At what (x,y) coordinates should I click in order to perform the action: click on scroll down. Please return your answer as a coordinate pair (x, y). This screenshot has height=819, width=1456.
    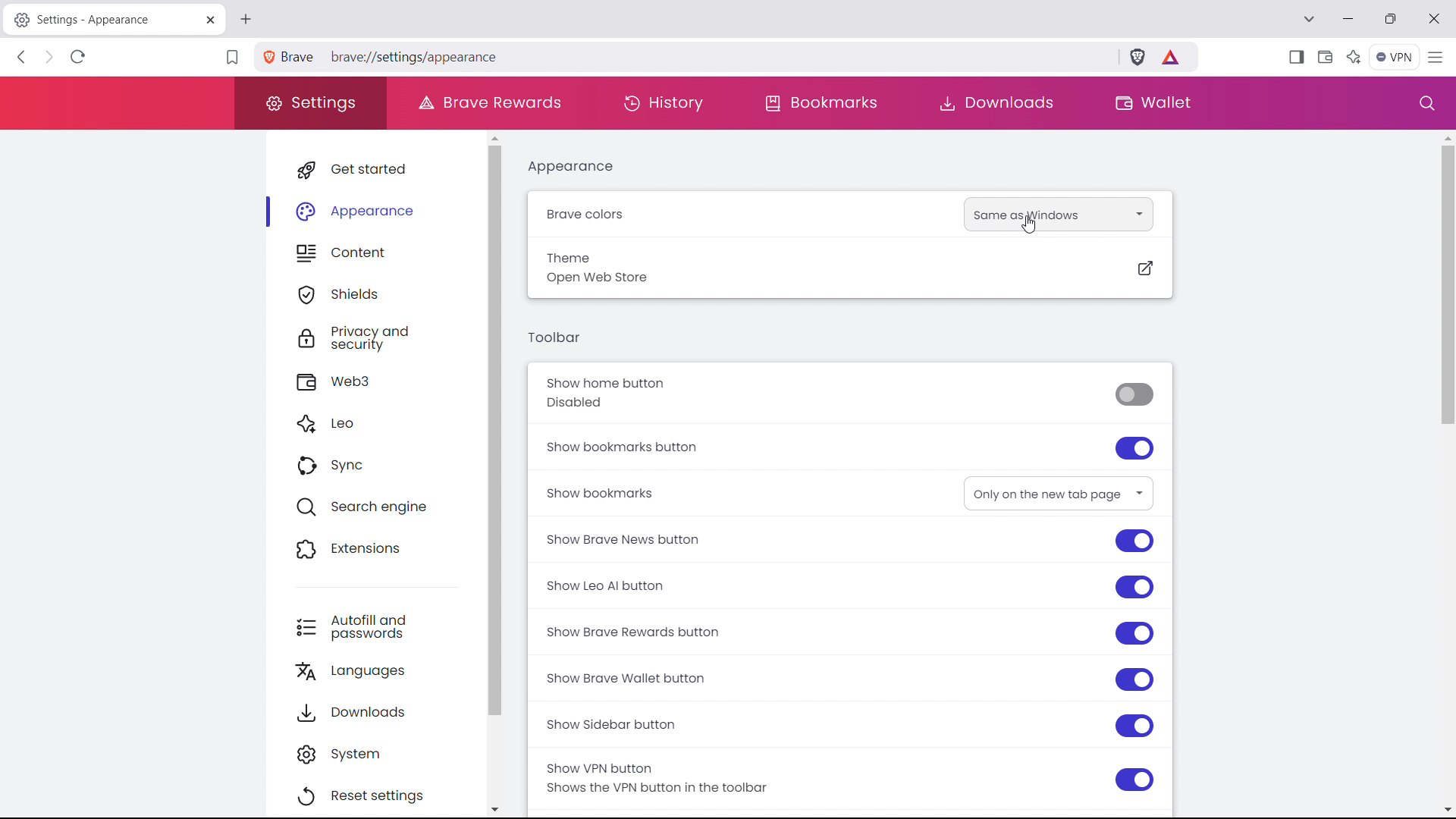
    Looking at the image, I should click on (504, 805).